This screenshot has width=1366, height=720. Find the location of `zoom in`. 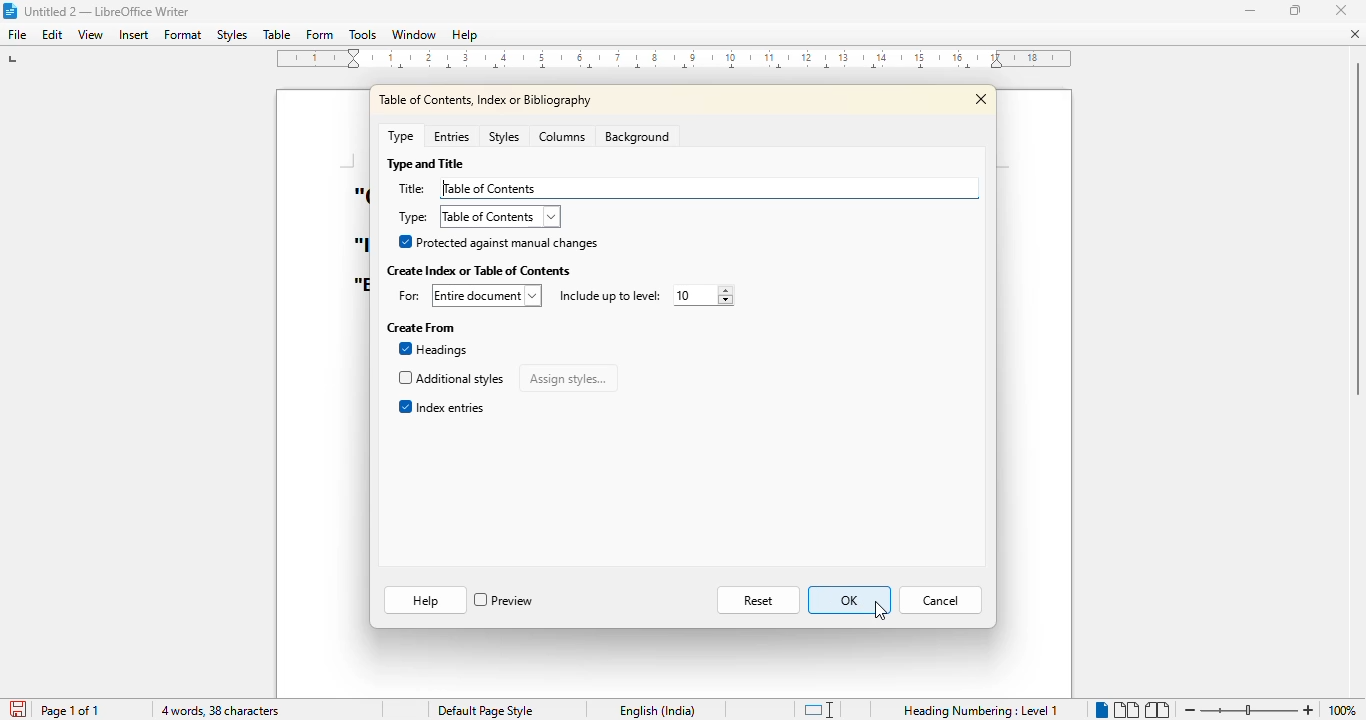

zoom in is located at coordinates (1309, 710).